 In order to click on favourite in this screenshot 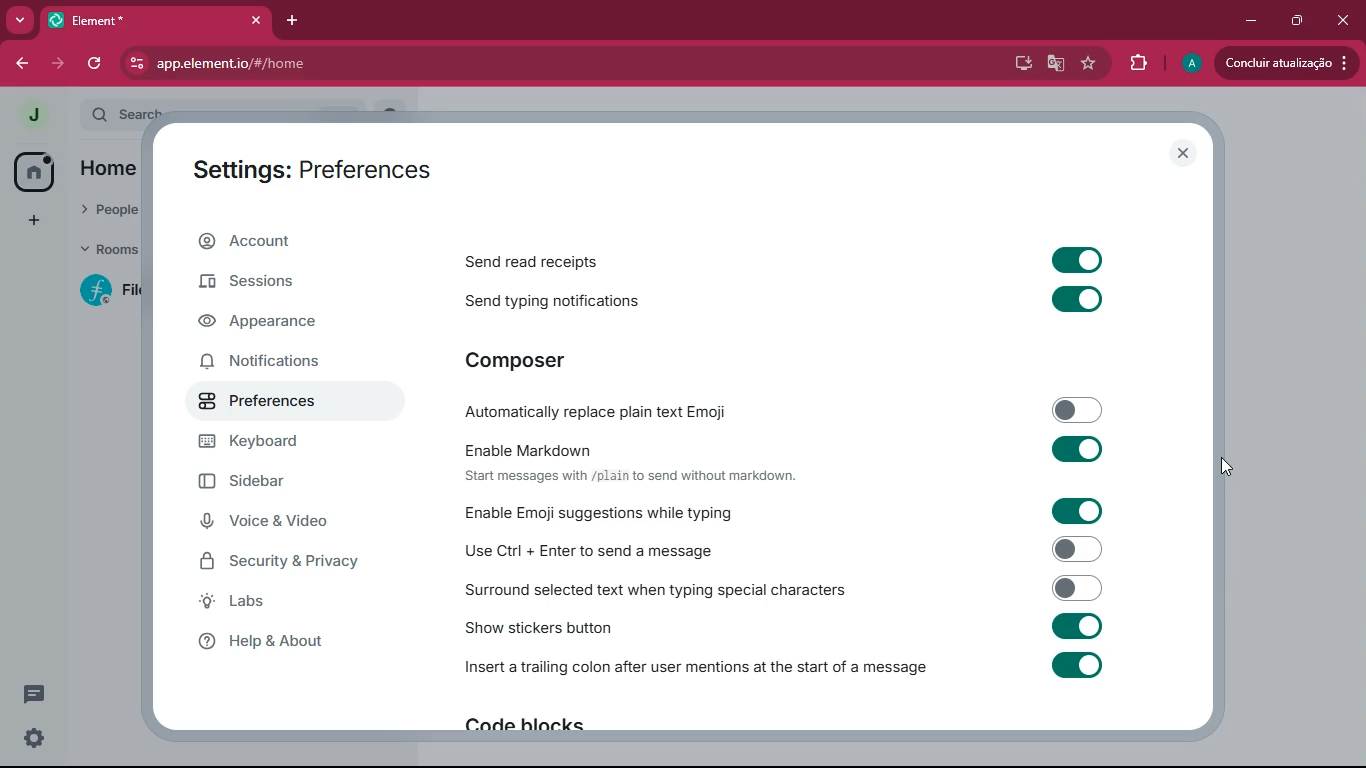, I will do `click(1089, 64)`.